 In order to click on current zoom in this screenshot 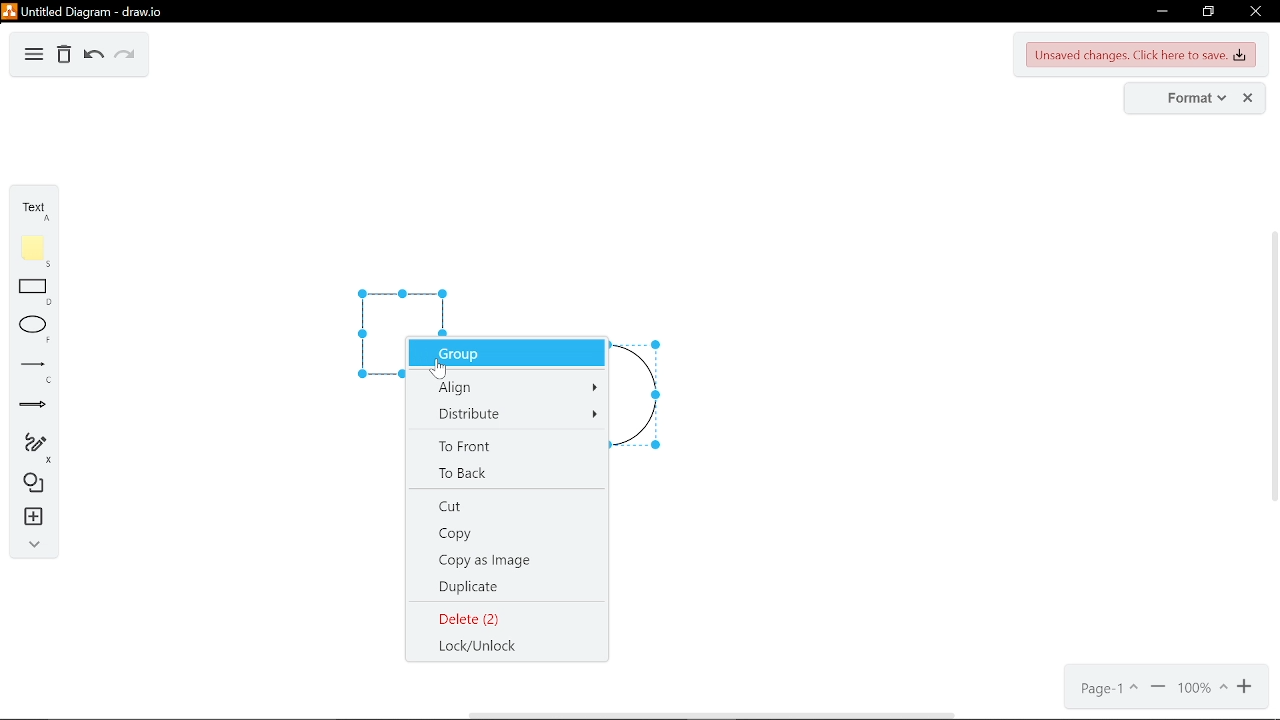, I will do `click(1202, 690)`.